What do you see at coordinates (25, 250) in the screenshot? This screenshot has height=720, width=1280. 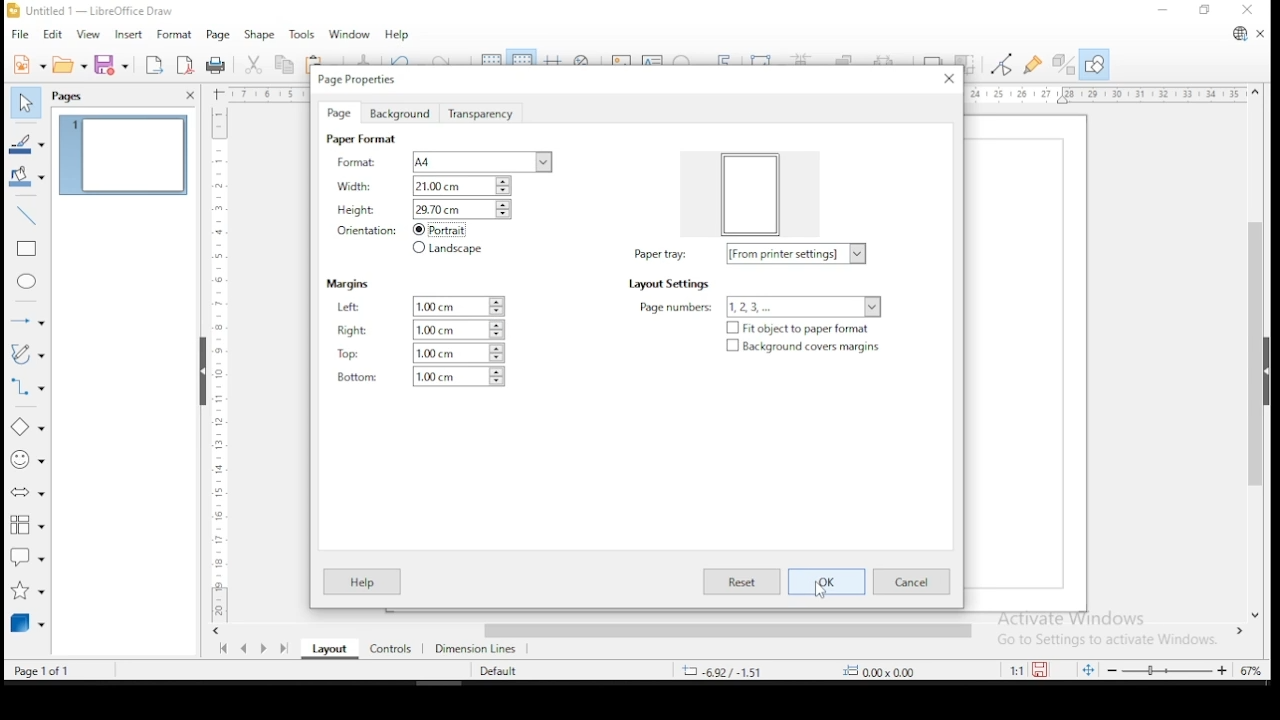 I see `rectangle` at bounding box center [25, 250].